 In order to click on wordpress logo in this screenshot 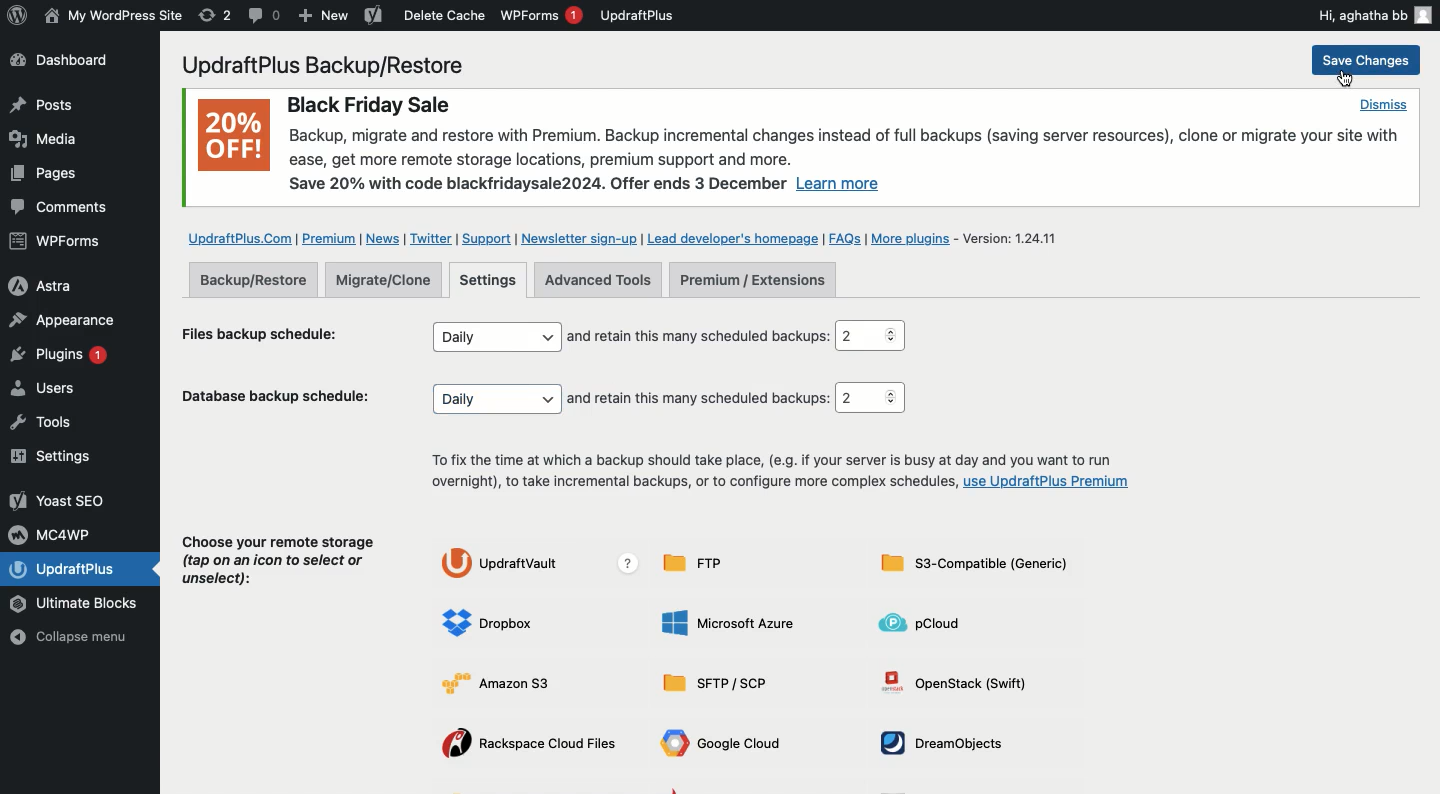, I will do `click(17, 15)`.